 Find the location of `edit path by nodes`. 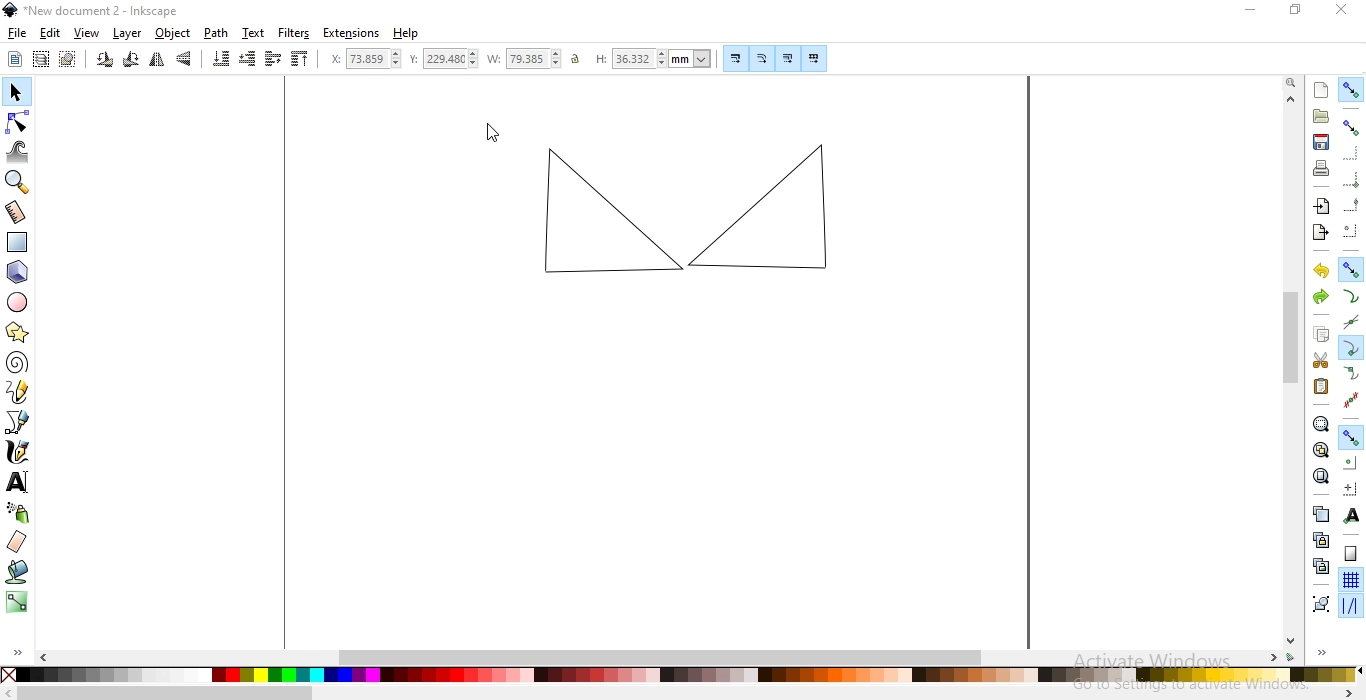

edit path by nodes is located at coordinates (16, 120).